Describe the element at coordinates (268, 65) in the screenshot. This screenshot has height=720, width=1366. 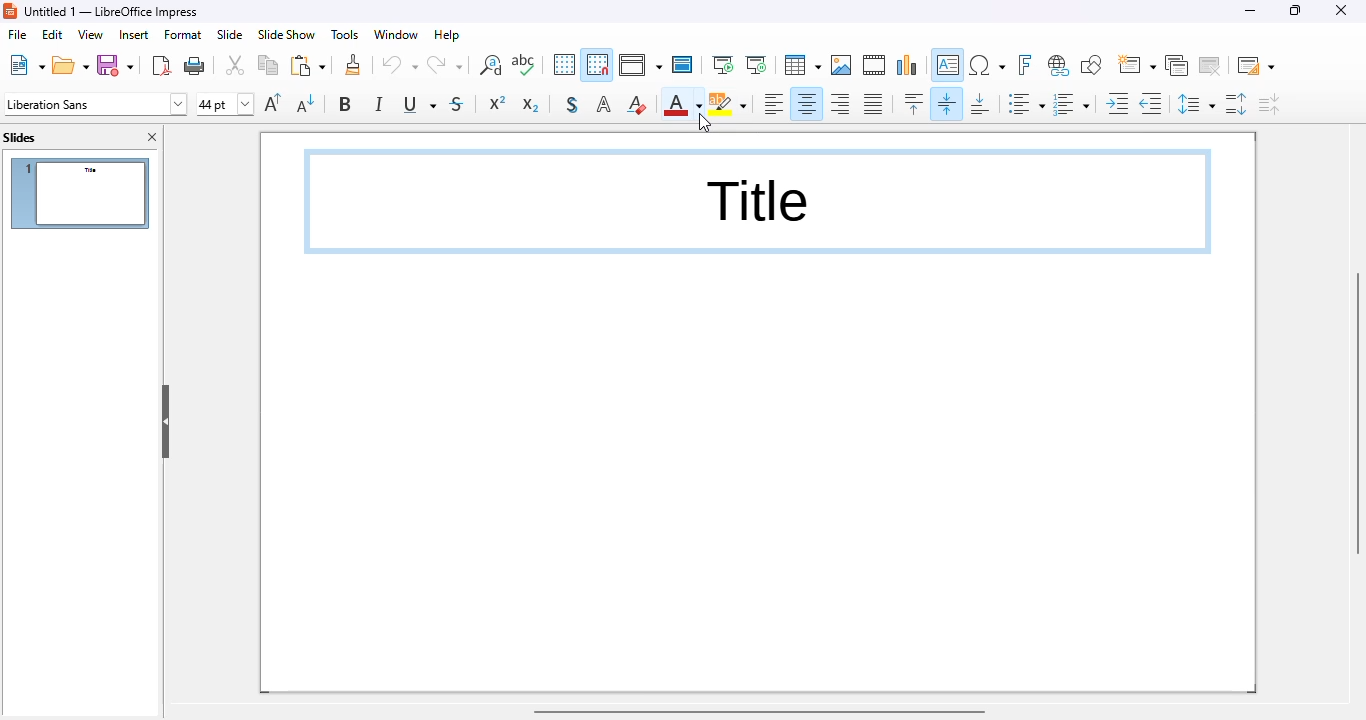
I see `copy` at that location.